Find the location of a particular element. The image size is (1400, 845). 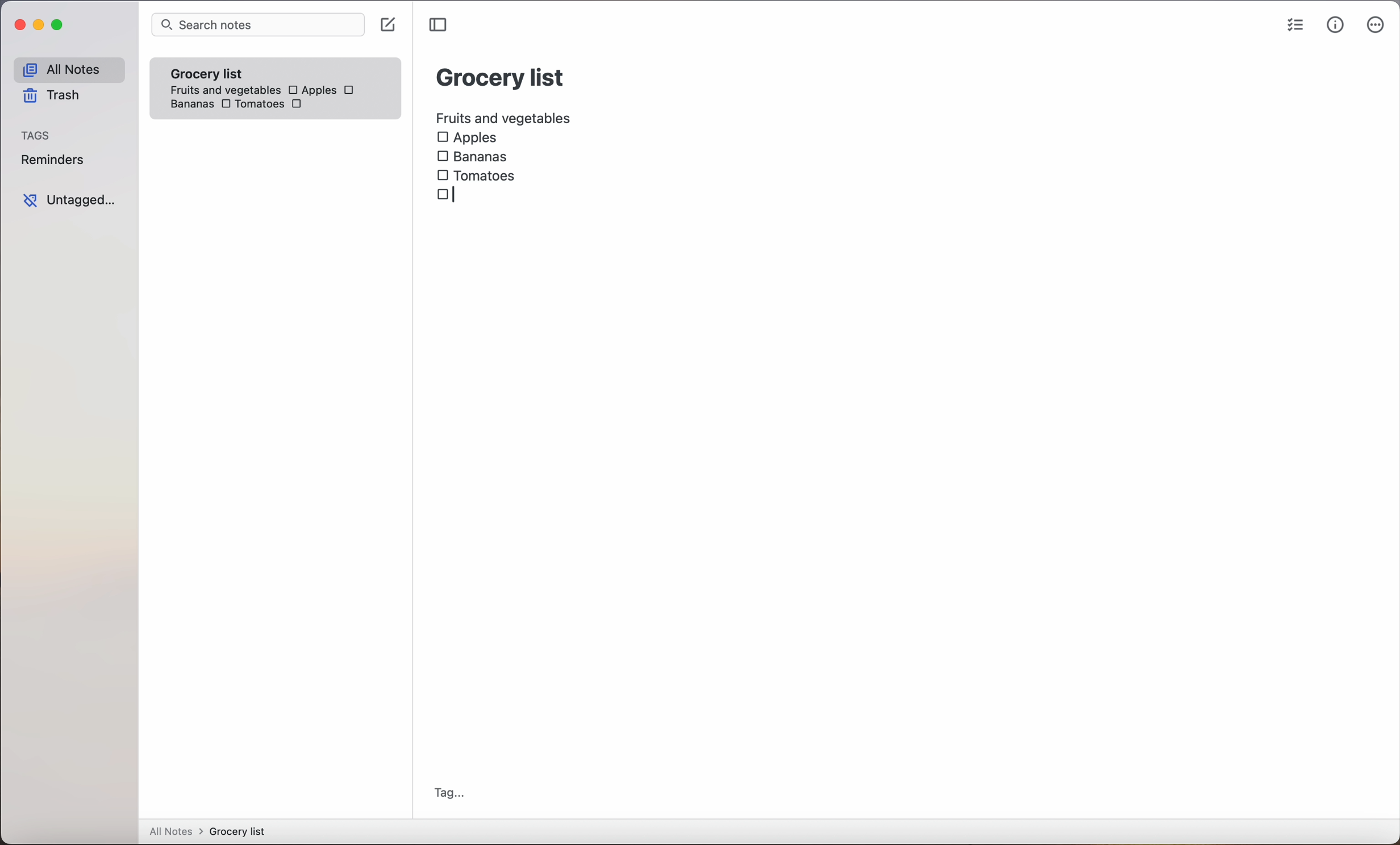

checklist is located at coordinates (1293, 27).